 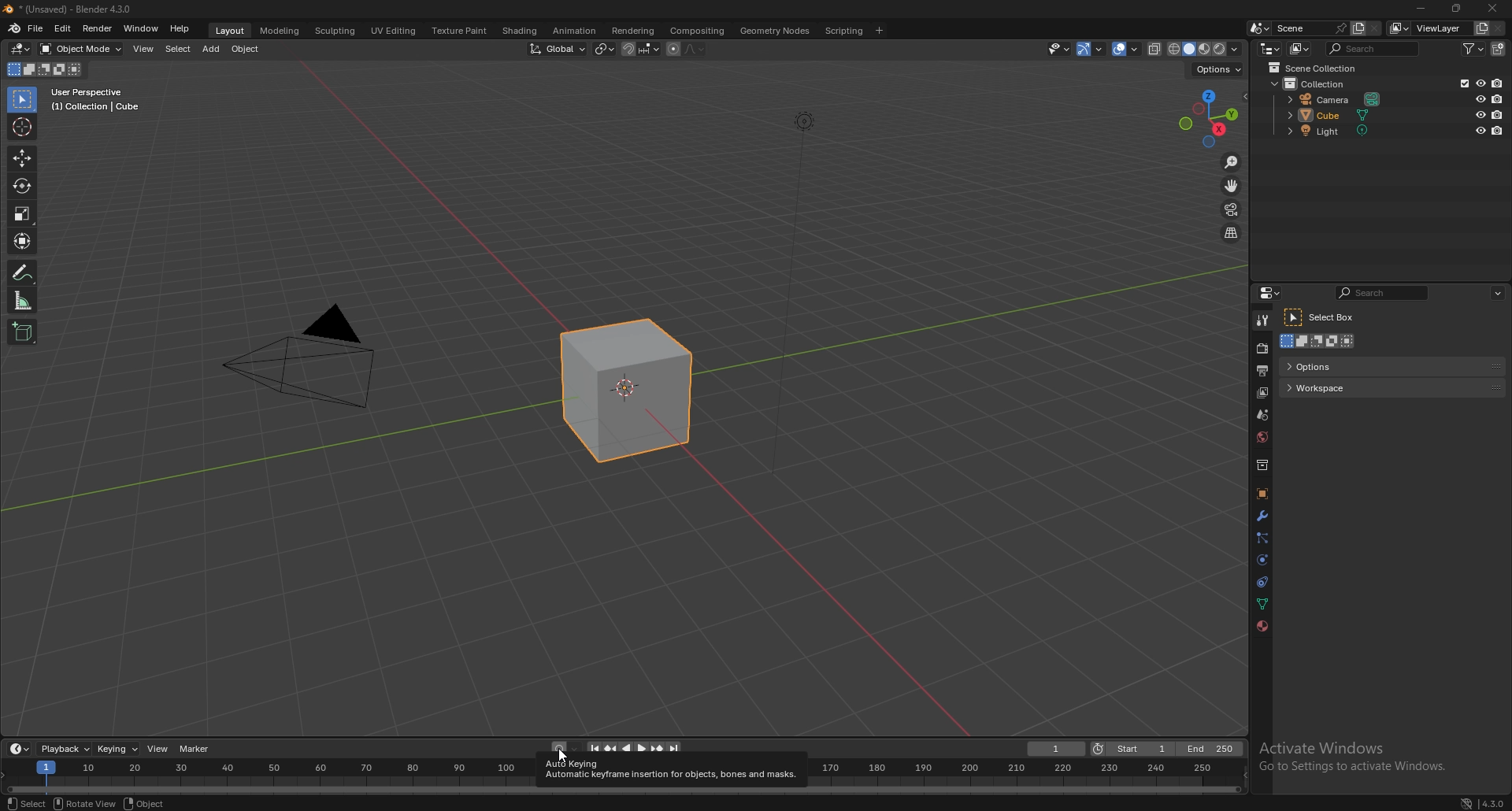 What do you see at coordinates (1497, 115) in the screenshot?
I see `disable in render` at bounding box center [1497, 115].